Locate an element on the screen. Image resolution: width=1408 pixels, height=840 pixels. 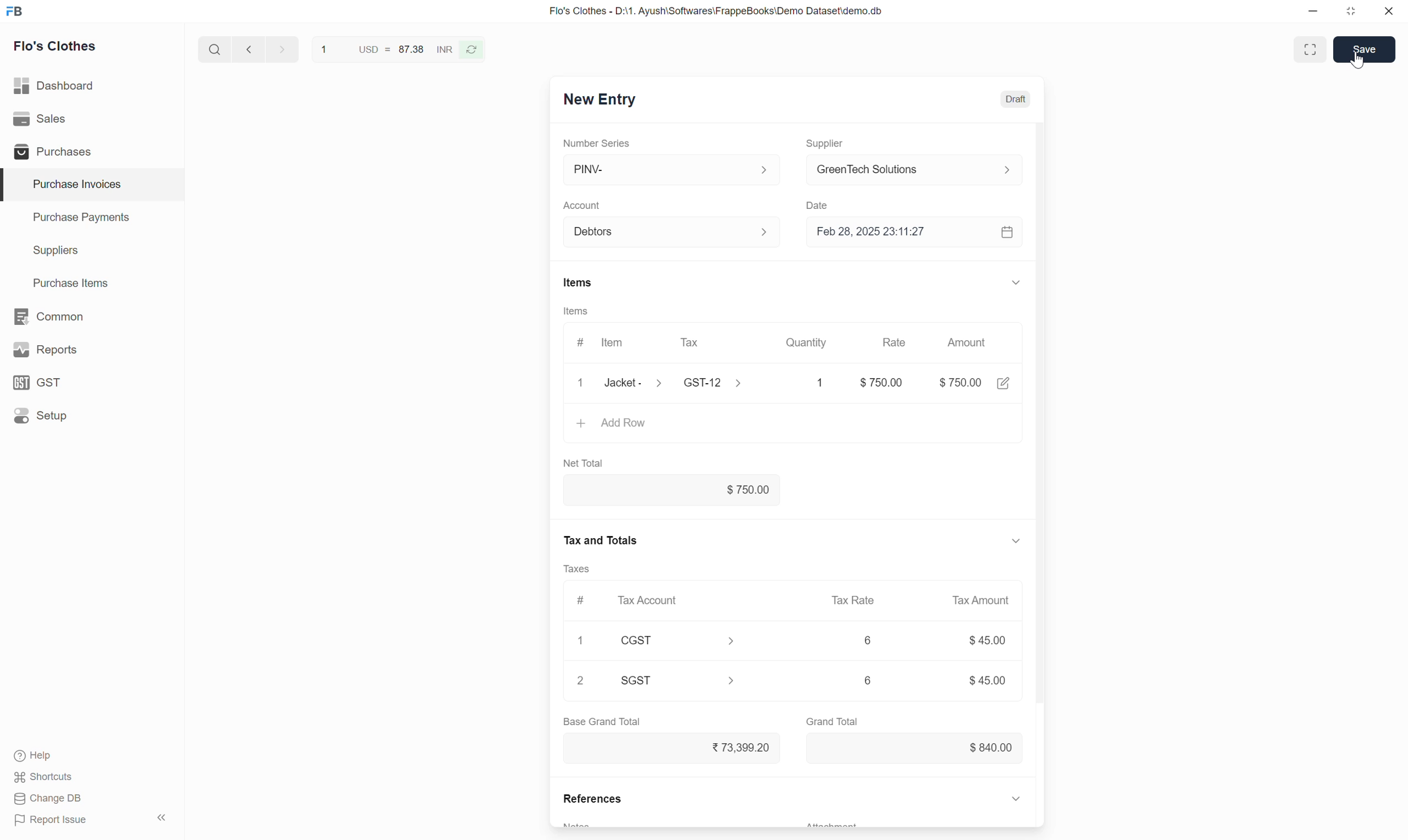
Save is located at coordinates (1364, 49).